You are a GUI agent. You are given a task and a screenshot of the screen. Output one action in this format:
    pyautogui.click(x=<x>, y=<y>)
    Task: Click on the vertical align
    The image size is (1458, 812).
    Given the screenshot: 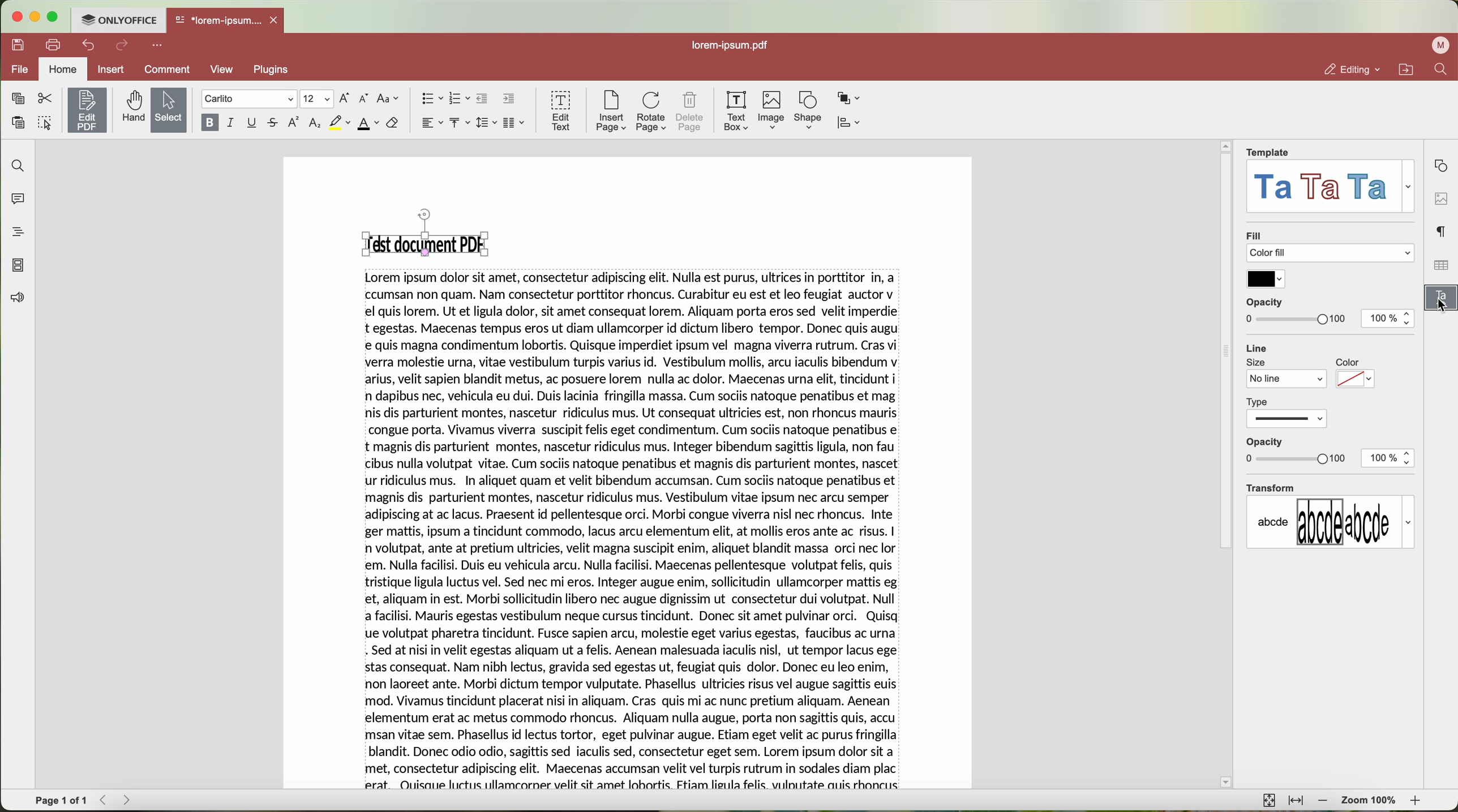 What is the action you would take?
    pyautogui.click(x=461, y=123)
    